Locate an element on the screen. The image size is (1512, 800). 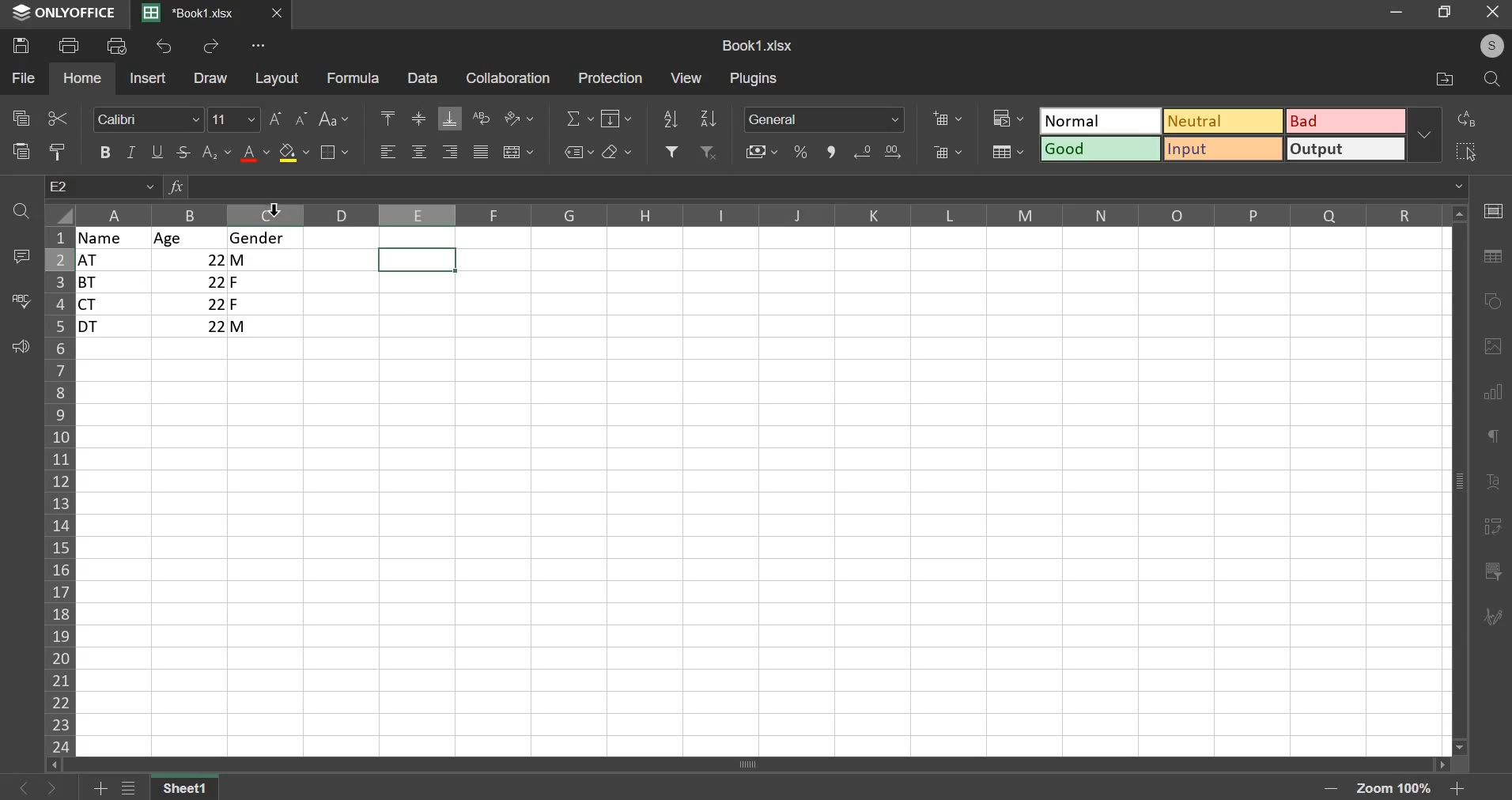
align middle is located at coordinates (418, 120).